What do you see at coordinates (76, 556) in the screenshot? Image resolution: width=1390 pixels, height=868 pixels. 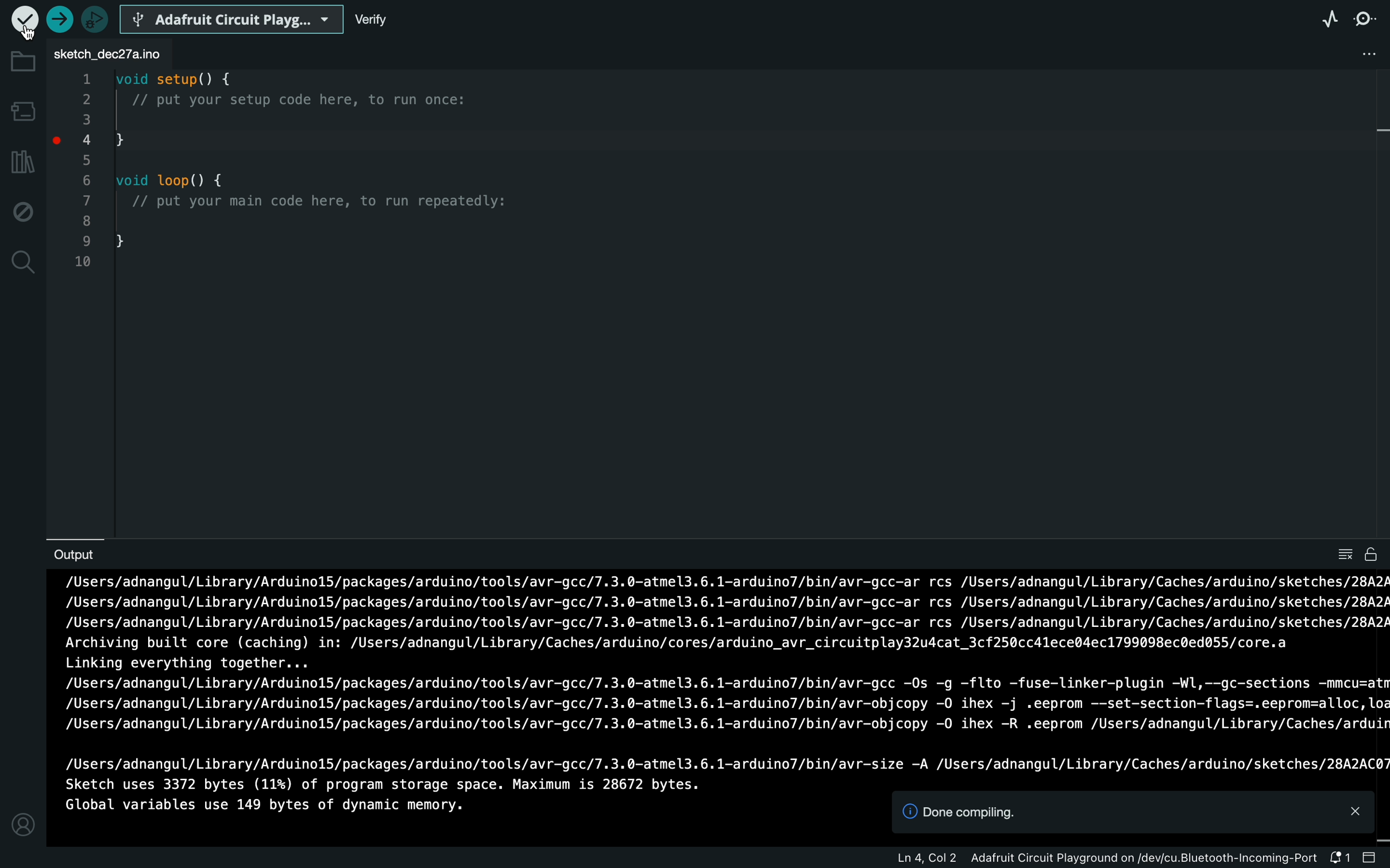 I see `output` at bounding box center [76, 556].